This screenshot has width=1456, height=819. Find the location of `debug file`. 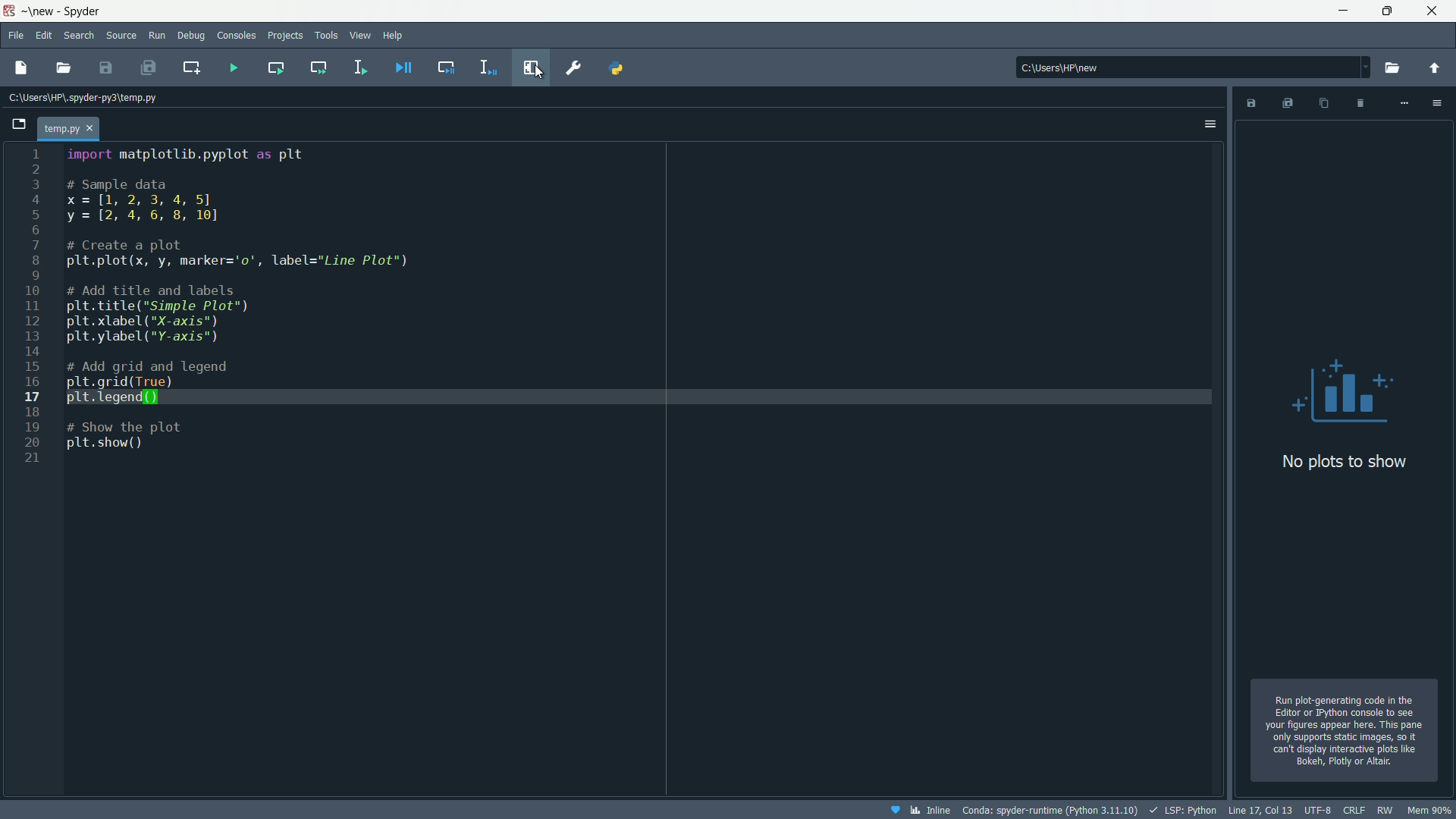

debug file is located at coordinates (406, 67).